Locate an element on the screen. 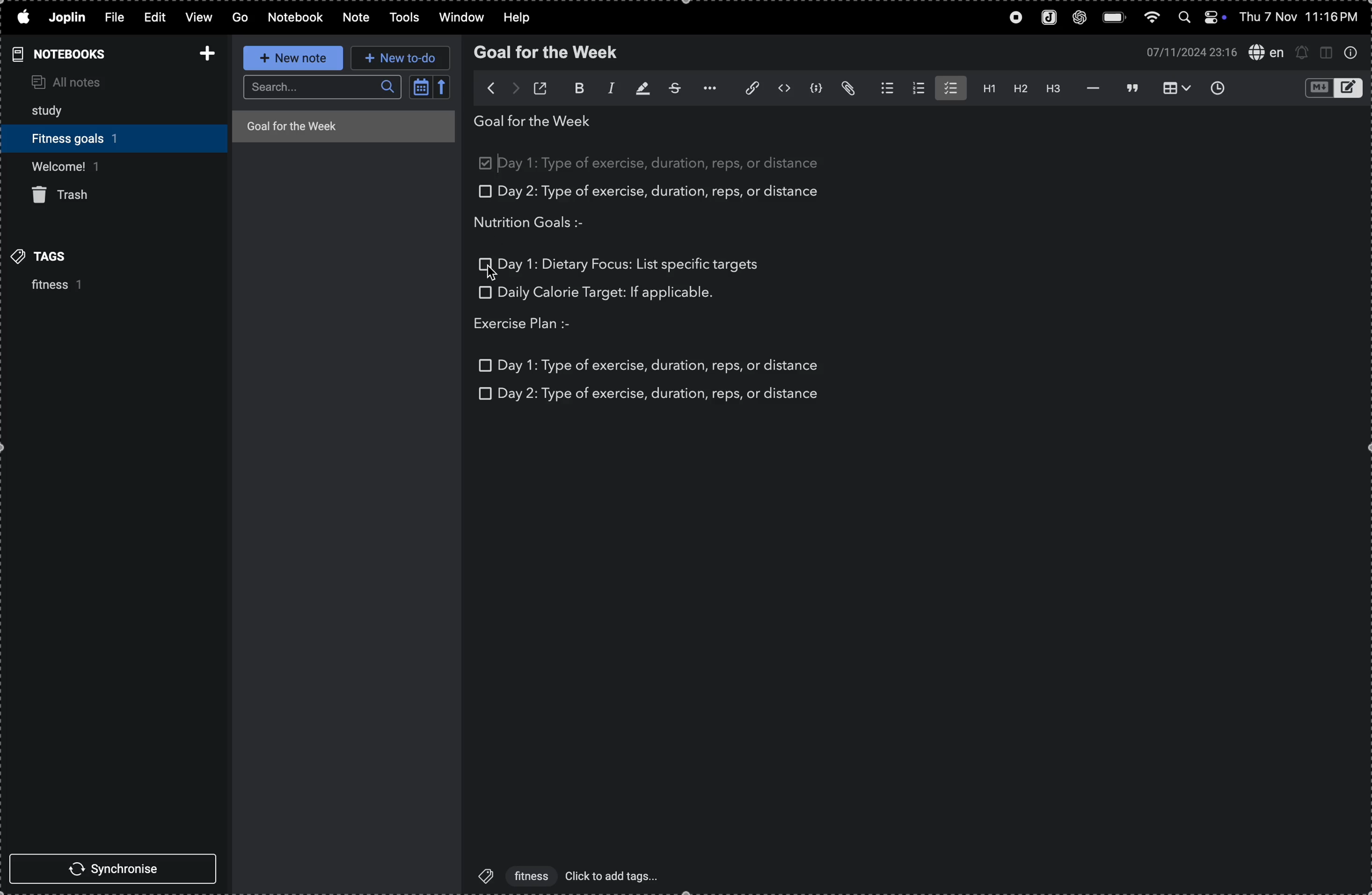 The height and width of the screenshot is (895, 1372). day 2: type of exercise, duration, reps, or distance is located at coordinates (661, 394).